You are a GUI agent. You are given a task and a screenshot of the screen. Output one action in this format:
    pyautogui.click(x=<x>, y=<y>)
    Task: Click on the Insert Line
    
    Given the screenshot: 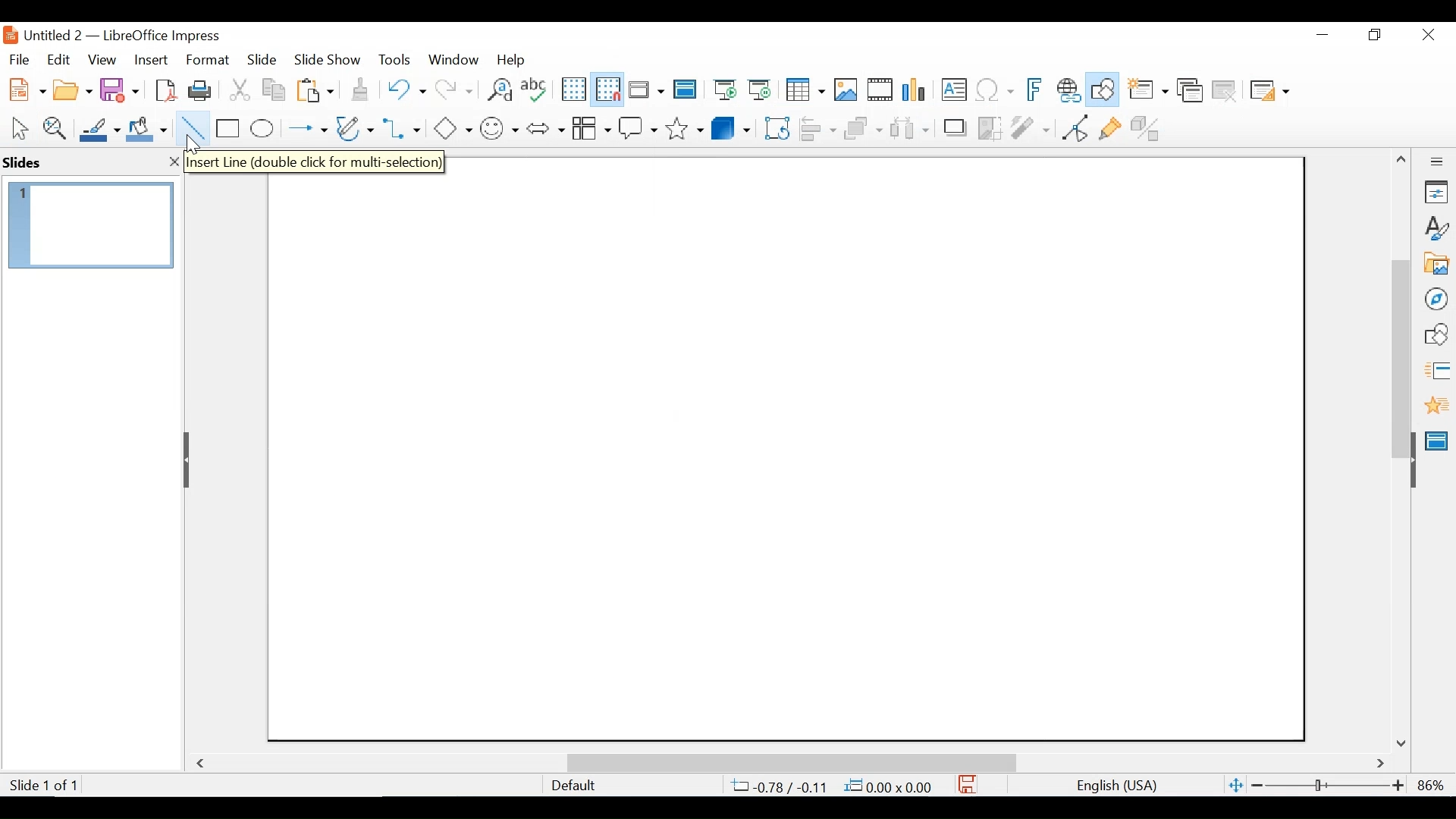 What is the action you would take?
    pyautogui.click(x=194, y=129)
    